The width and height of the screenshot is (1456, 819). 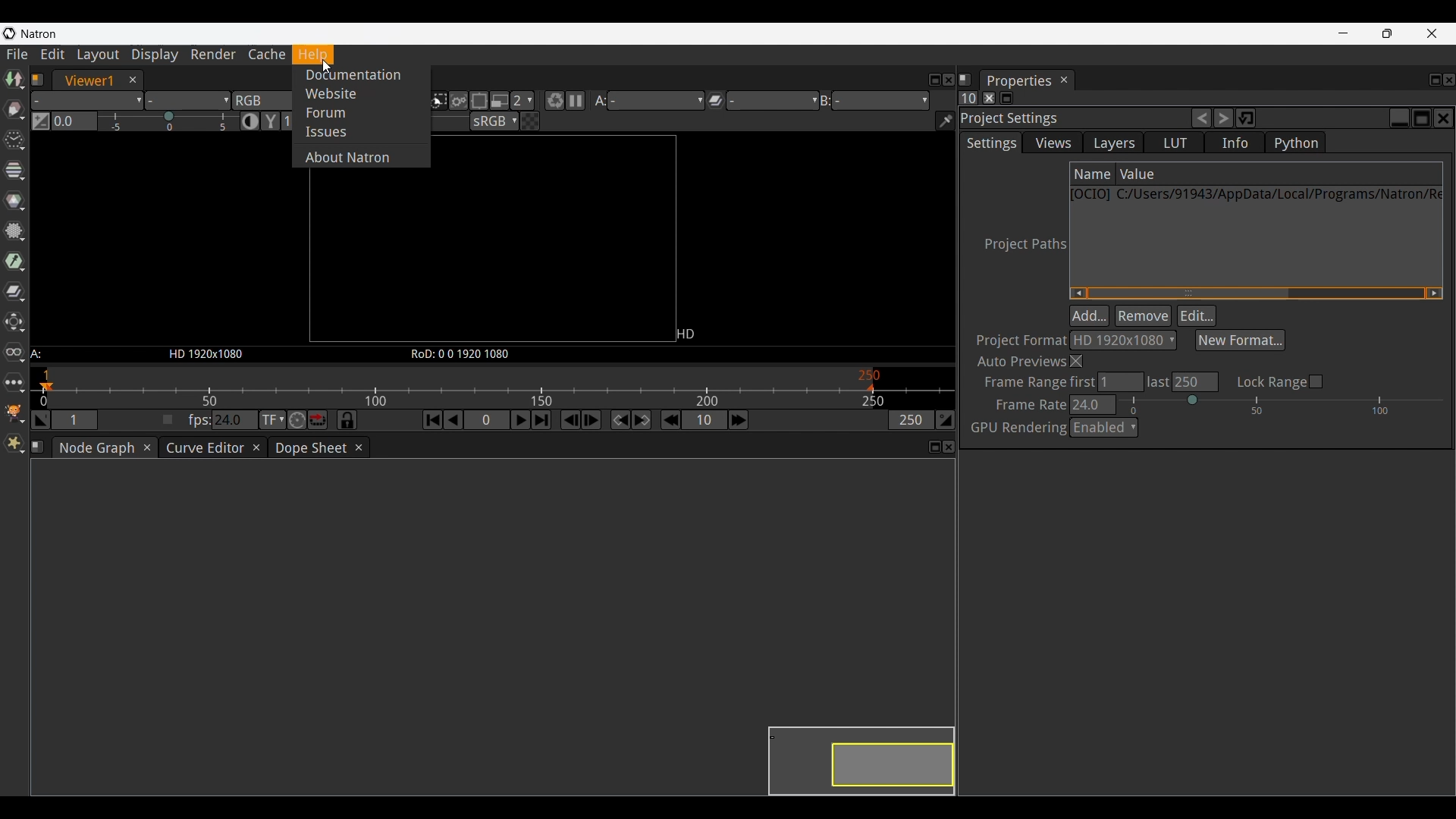 I want to click on Cursor , so click(x=326, y=67).